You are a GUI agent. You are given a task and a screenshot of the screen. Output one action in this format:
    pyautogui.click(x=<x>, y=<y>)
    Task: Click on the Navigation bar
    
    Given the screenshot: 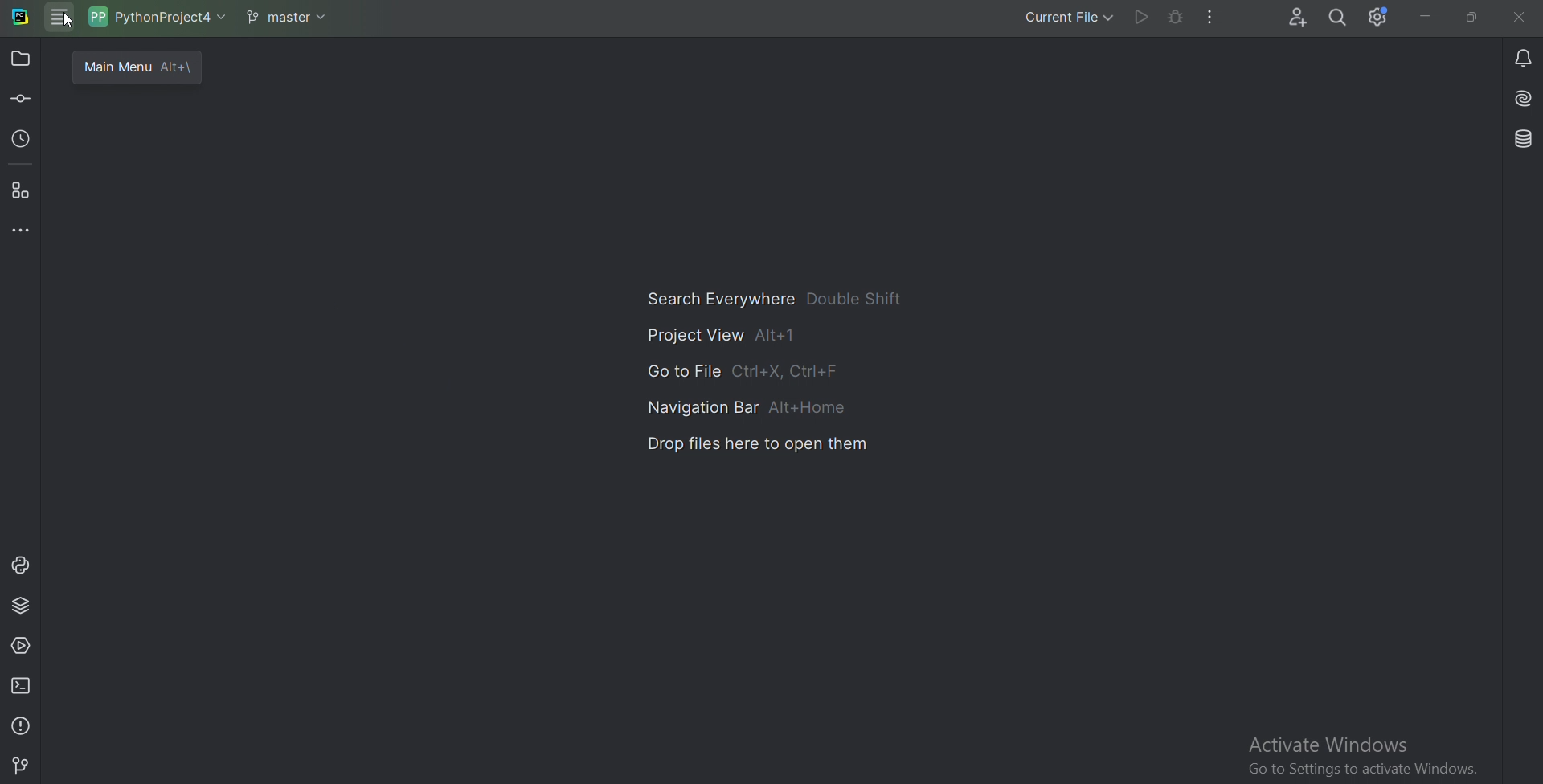 What is the action you would take?
    pyautogui.click(x=747, y=405)
    